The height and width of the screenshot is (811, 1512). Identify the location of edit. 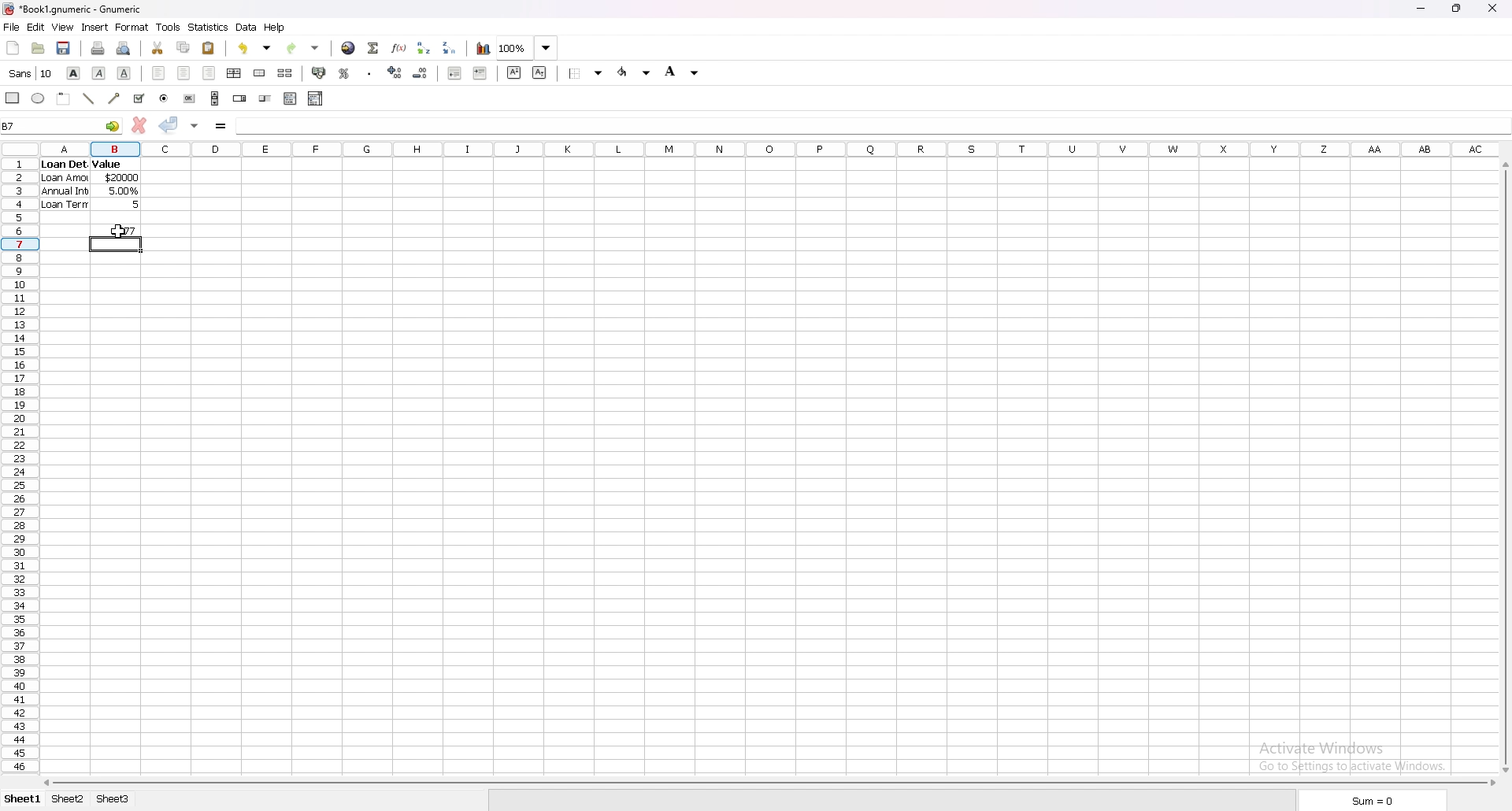
(35, 27).